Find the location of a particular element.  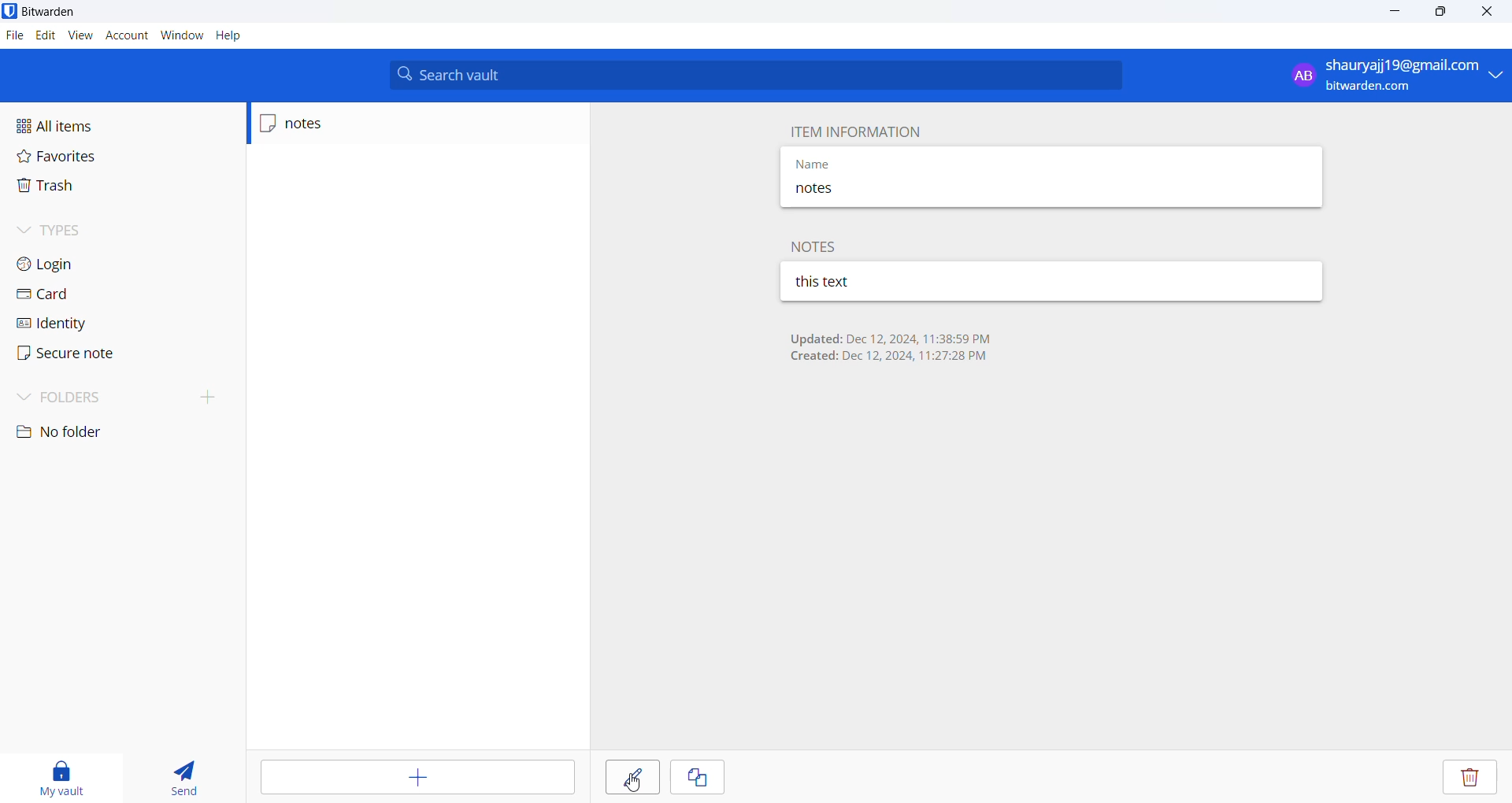

card is located at coordinates (69, 298).